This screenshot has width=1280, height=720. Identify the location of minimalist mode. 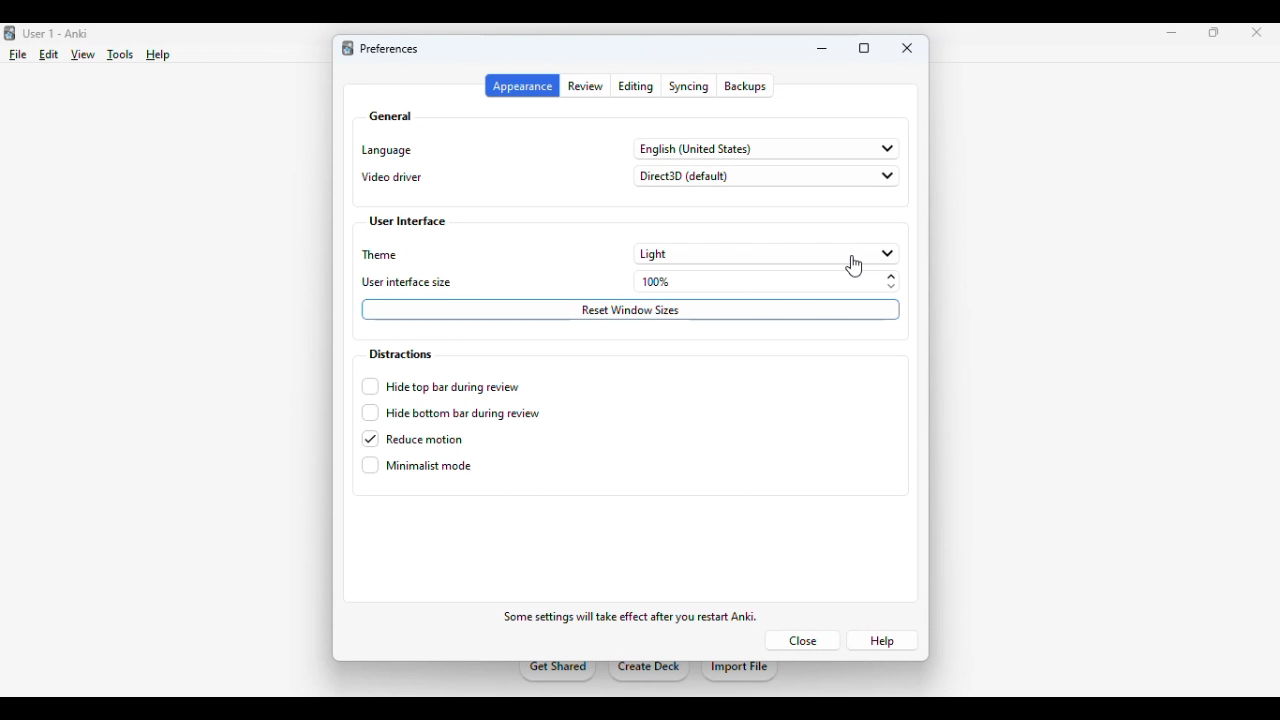
(417, 465).